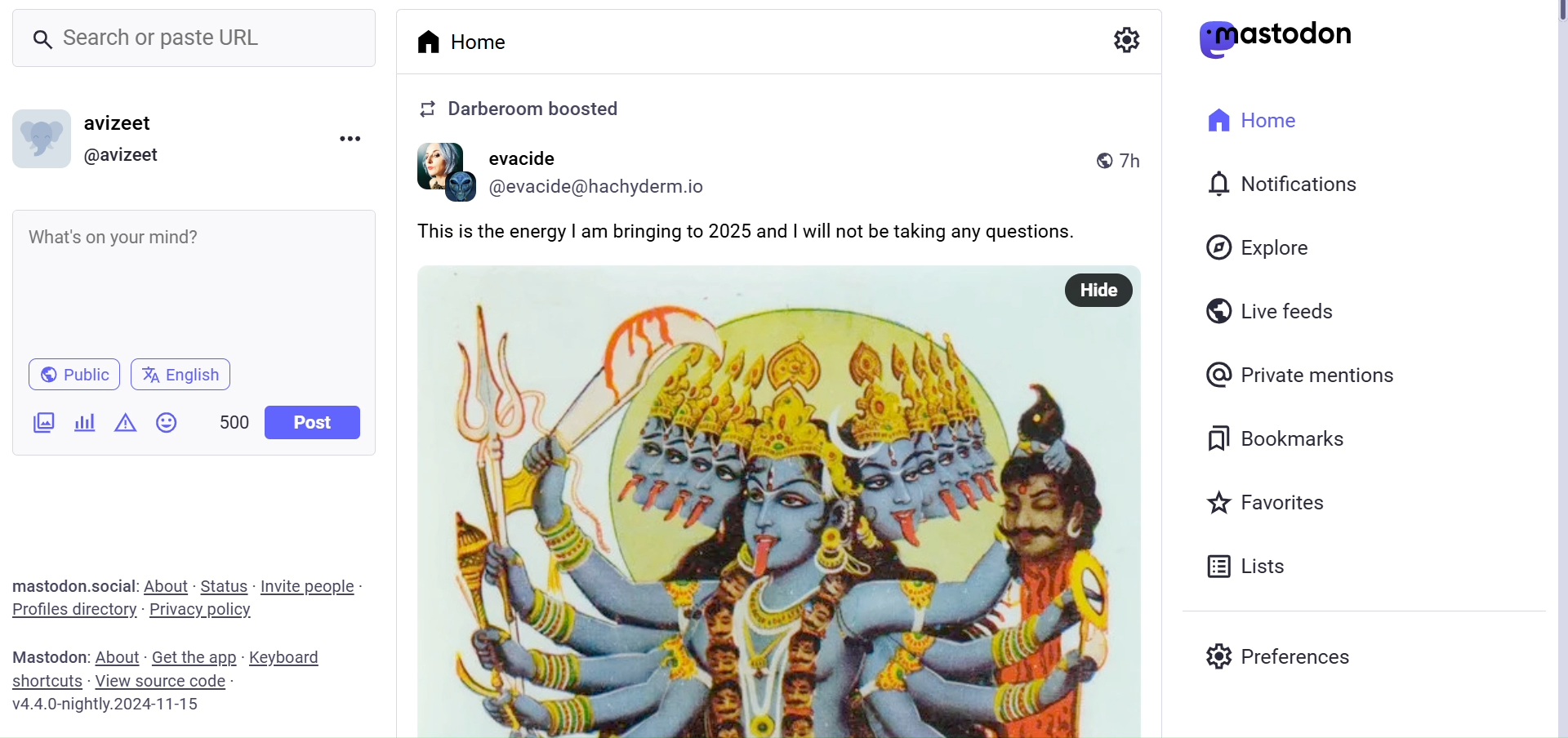  What do you see at coordinates (519, 109) in the screenshot?
I see `info` at bounding box center [519, 109].